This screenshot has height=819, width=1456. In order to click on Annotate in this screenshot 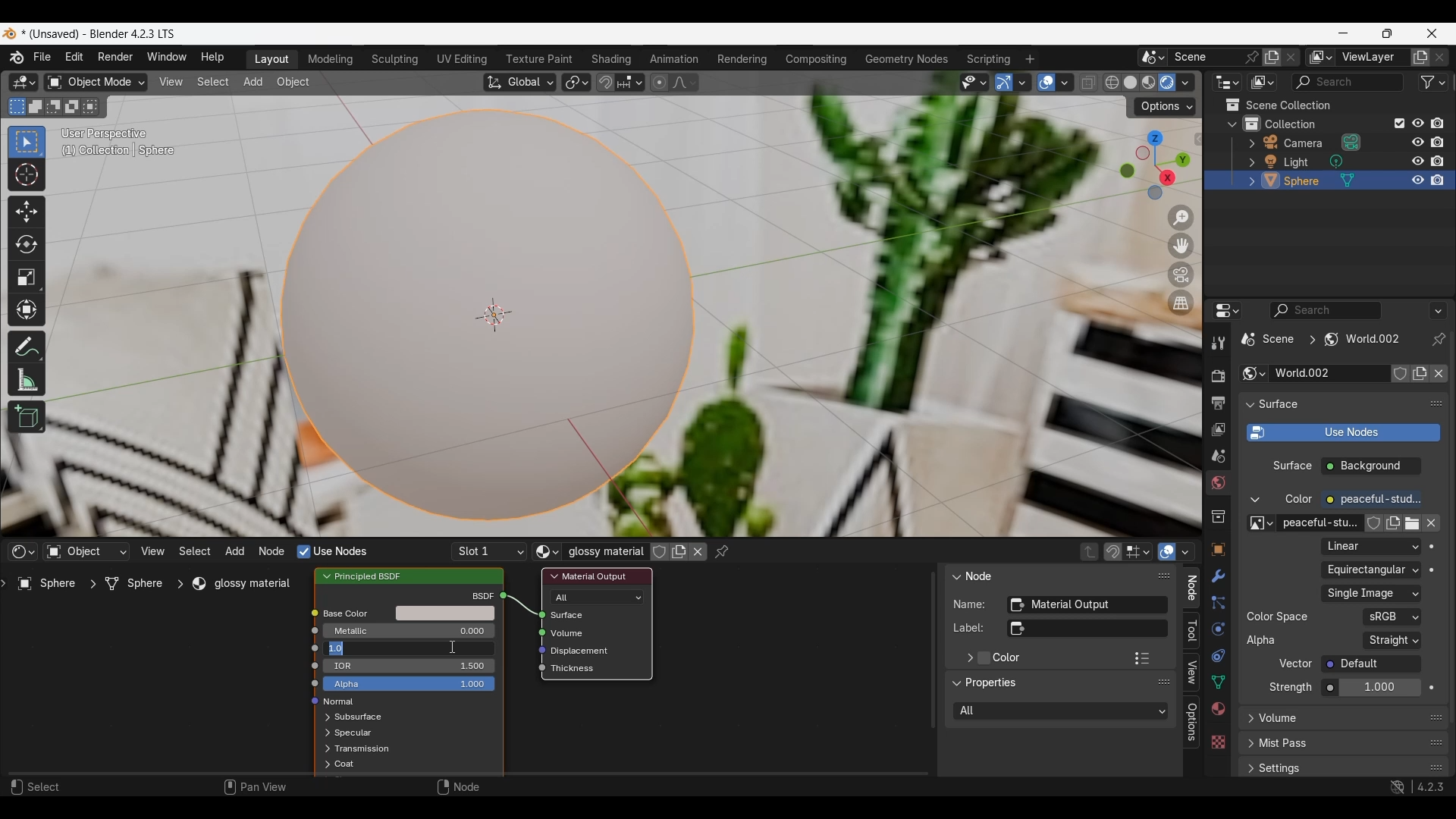, I will do `click(27, 347)`.